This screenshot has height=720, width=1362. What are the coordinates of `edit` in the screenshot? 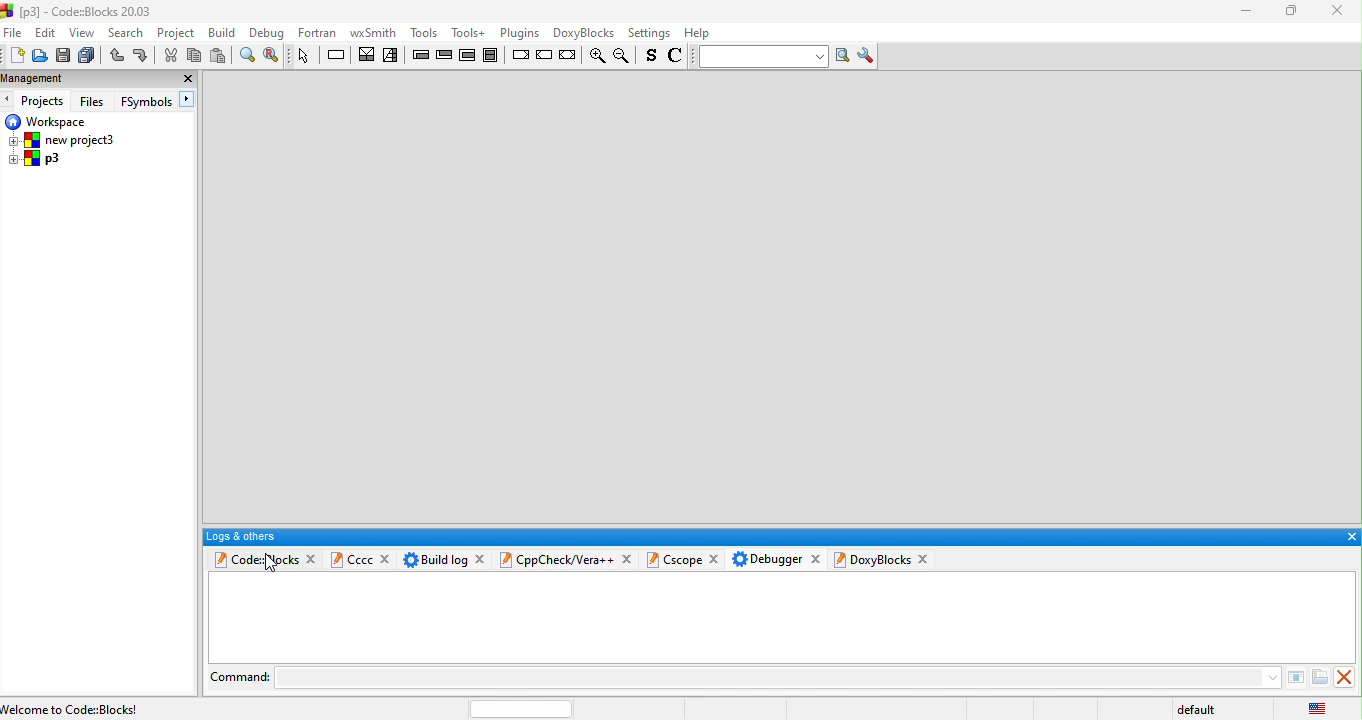 It's located at (46, 33).